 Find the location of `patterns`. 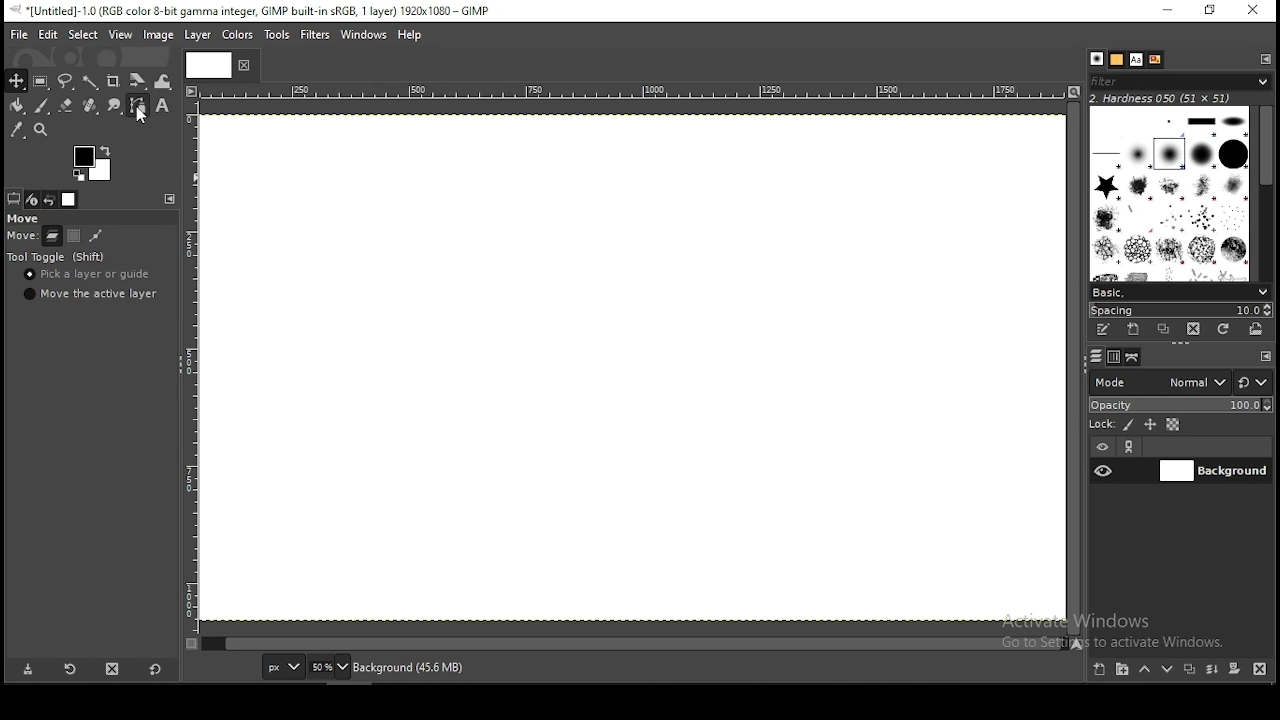

patterns is located at coordinates (1117, 60).